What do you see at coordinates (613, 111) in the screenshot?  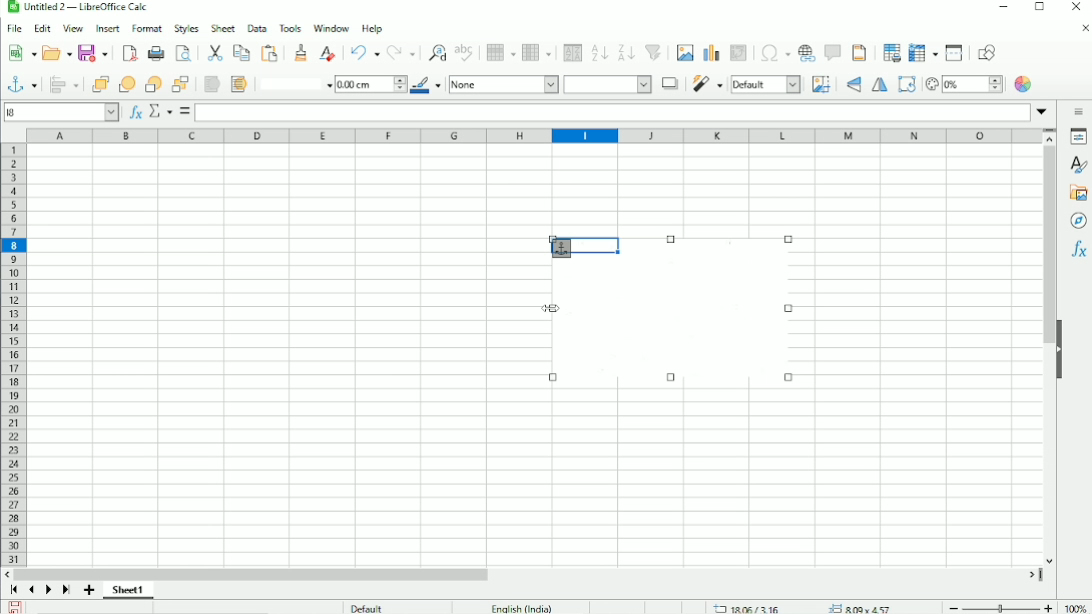 I see `Input line` at bounding box center [613, 111].